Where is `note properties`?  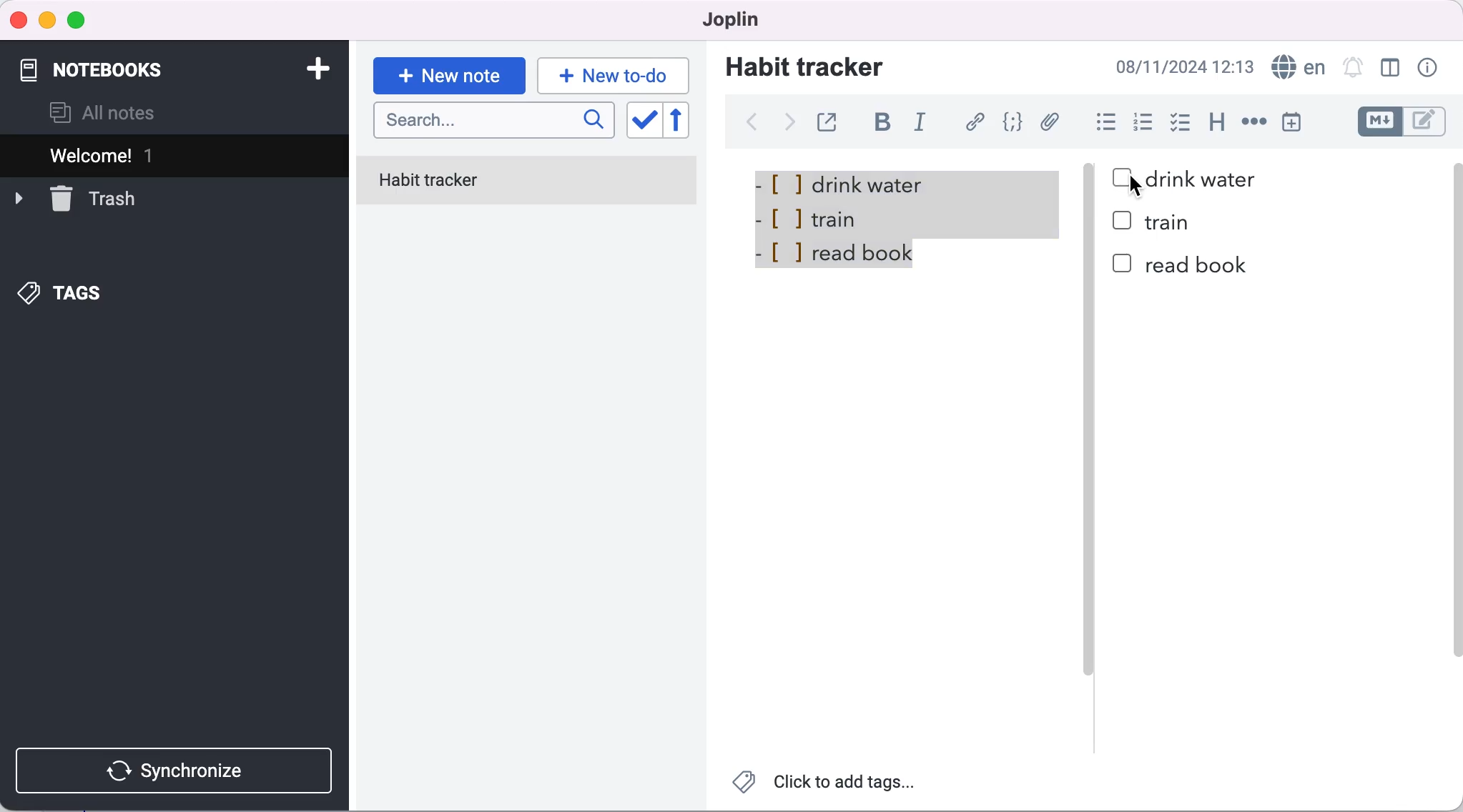
note properties is located at coordinates (1429, 68).